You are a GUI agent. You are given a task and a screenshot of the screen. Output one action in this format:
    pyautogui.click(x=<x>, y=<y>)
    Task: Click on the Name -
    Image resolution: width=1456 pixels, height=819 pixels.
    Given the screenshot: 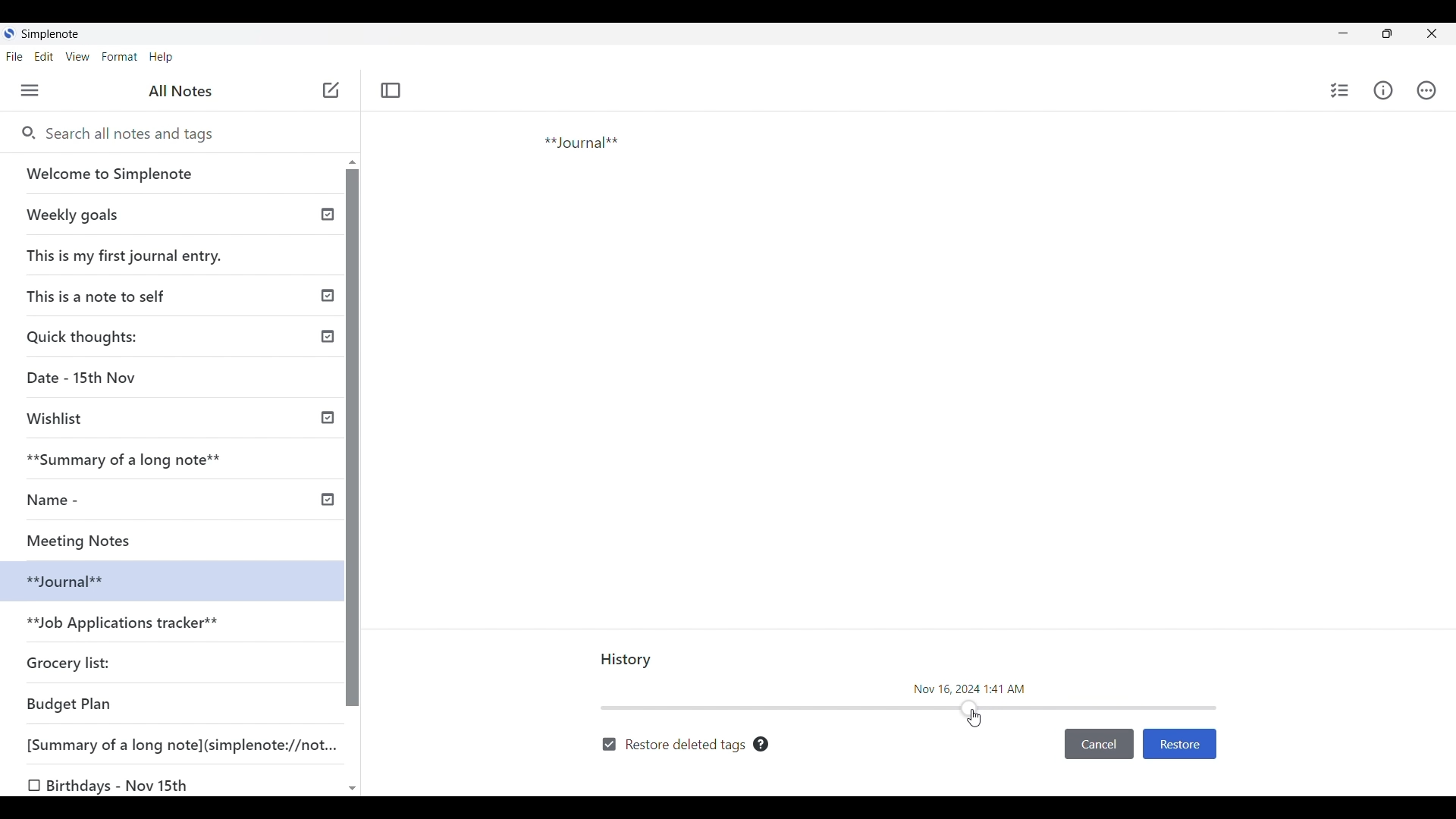 What is the action you would take?
    pyautogui.click(x=58, y=500)
    